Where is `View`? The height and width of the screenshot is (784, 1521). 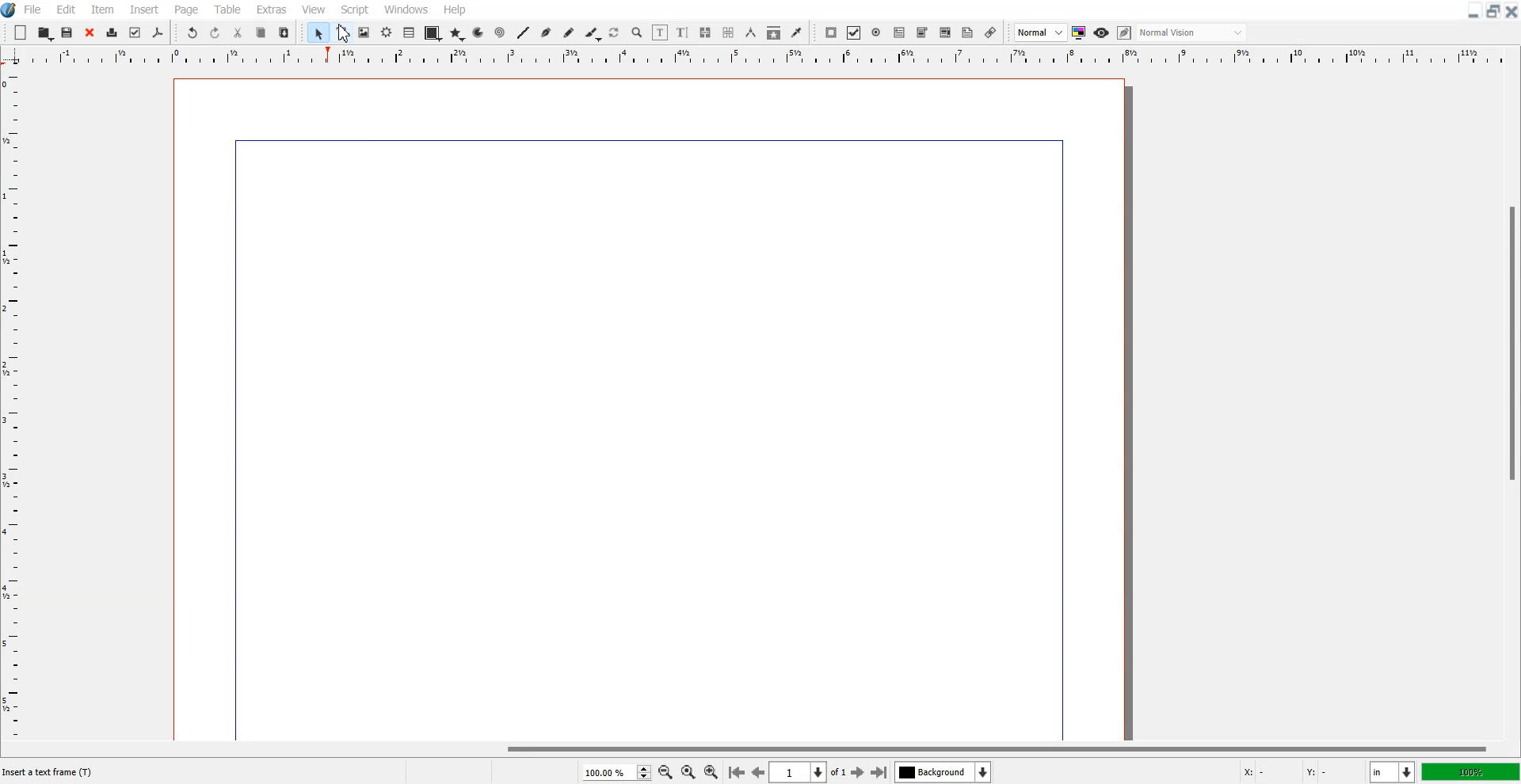 View is located at coordinates (314, 9).